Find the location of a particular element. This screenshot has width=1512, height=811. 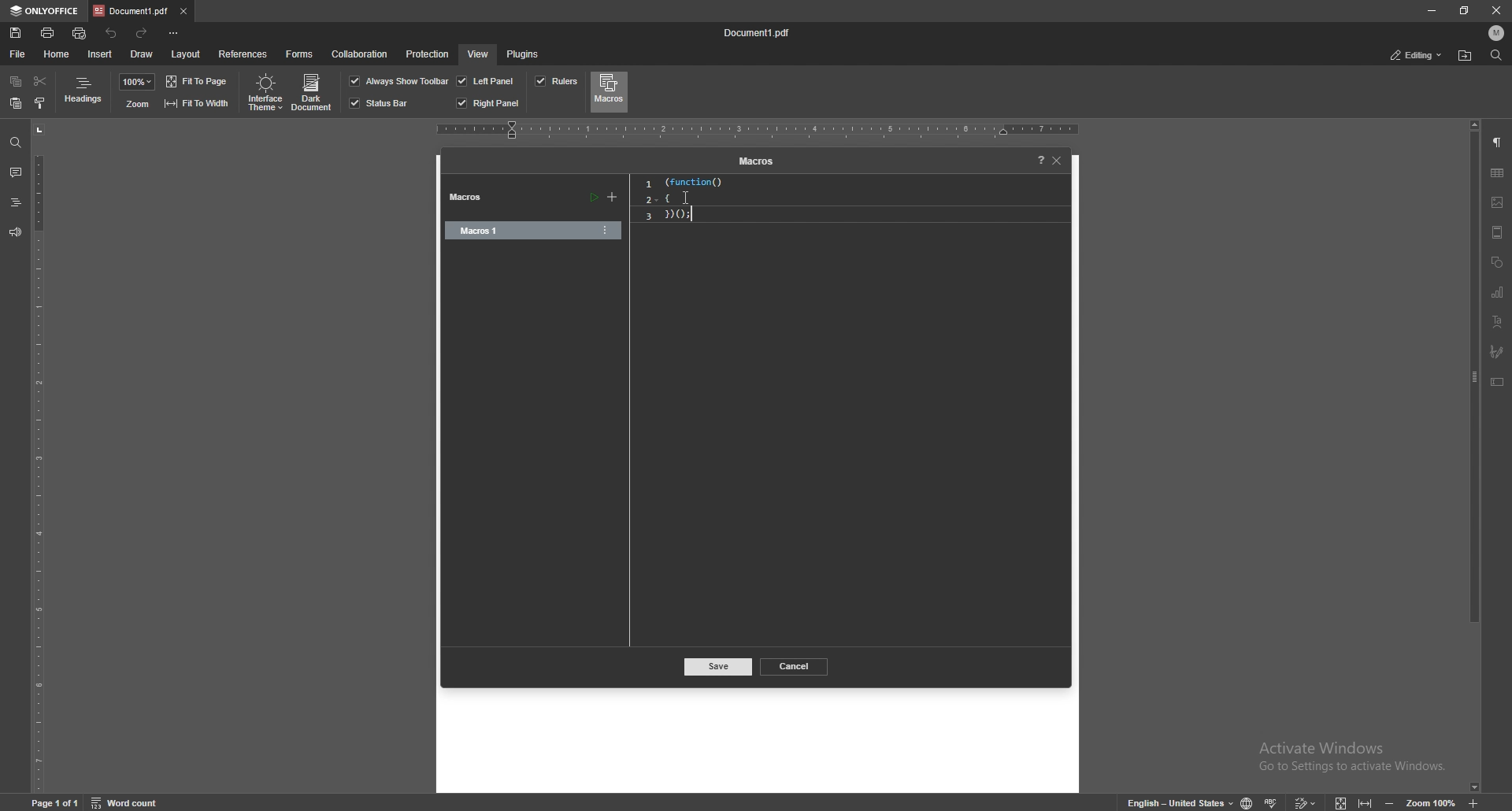

page is located at coordinates (57, 802).